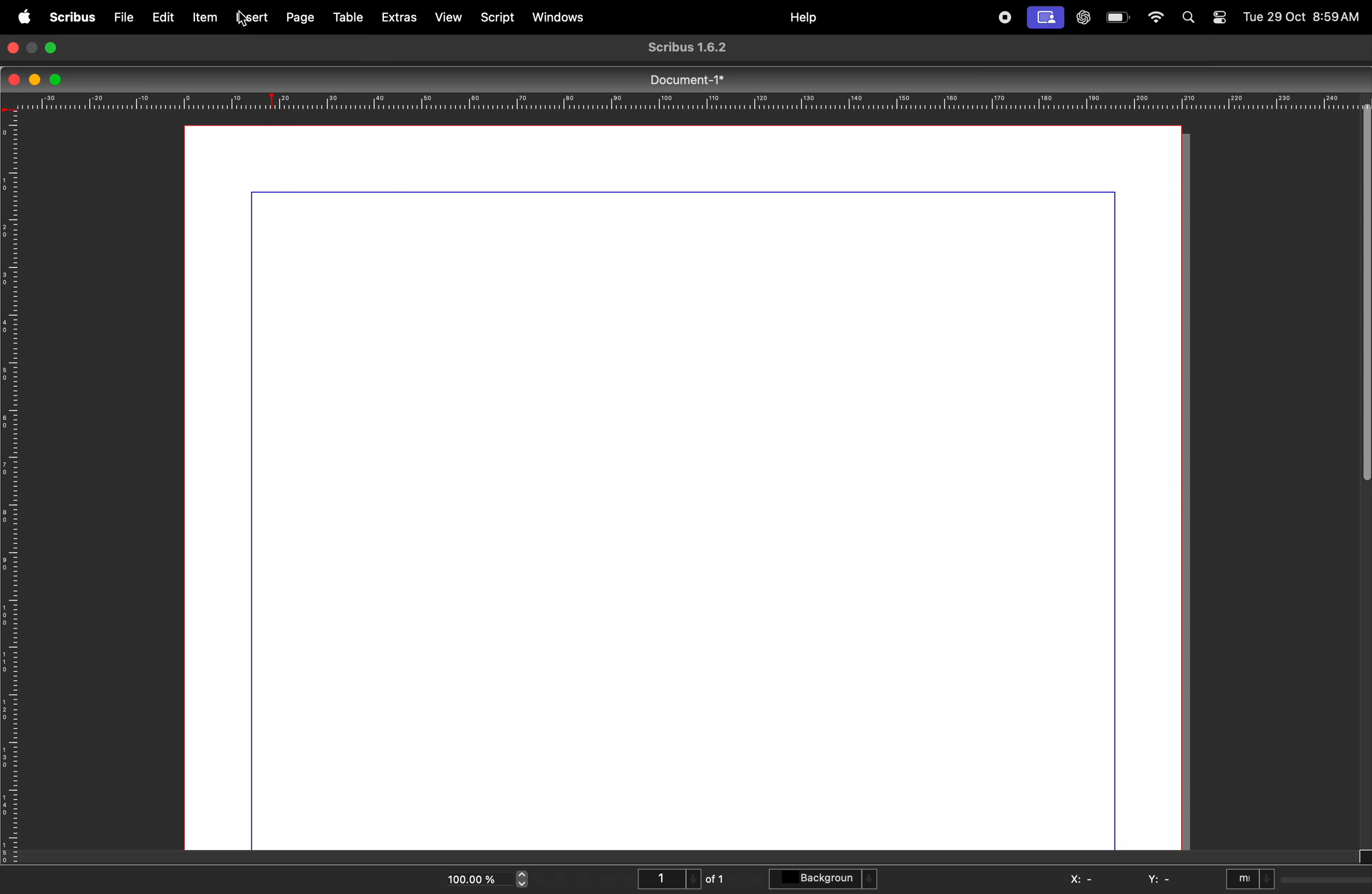 This screenshot has width=1372, height=894. Describe the element at coordinates (803, 18) in the screenshot. I see `help` at that location.